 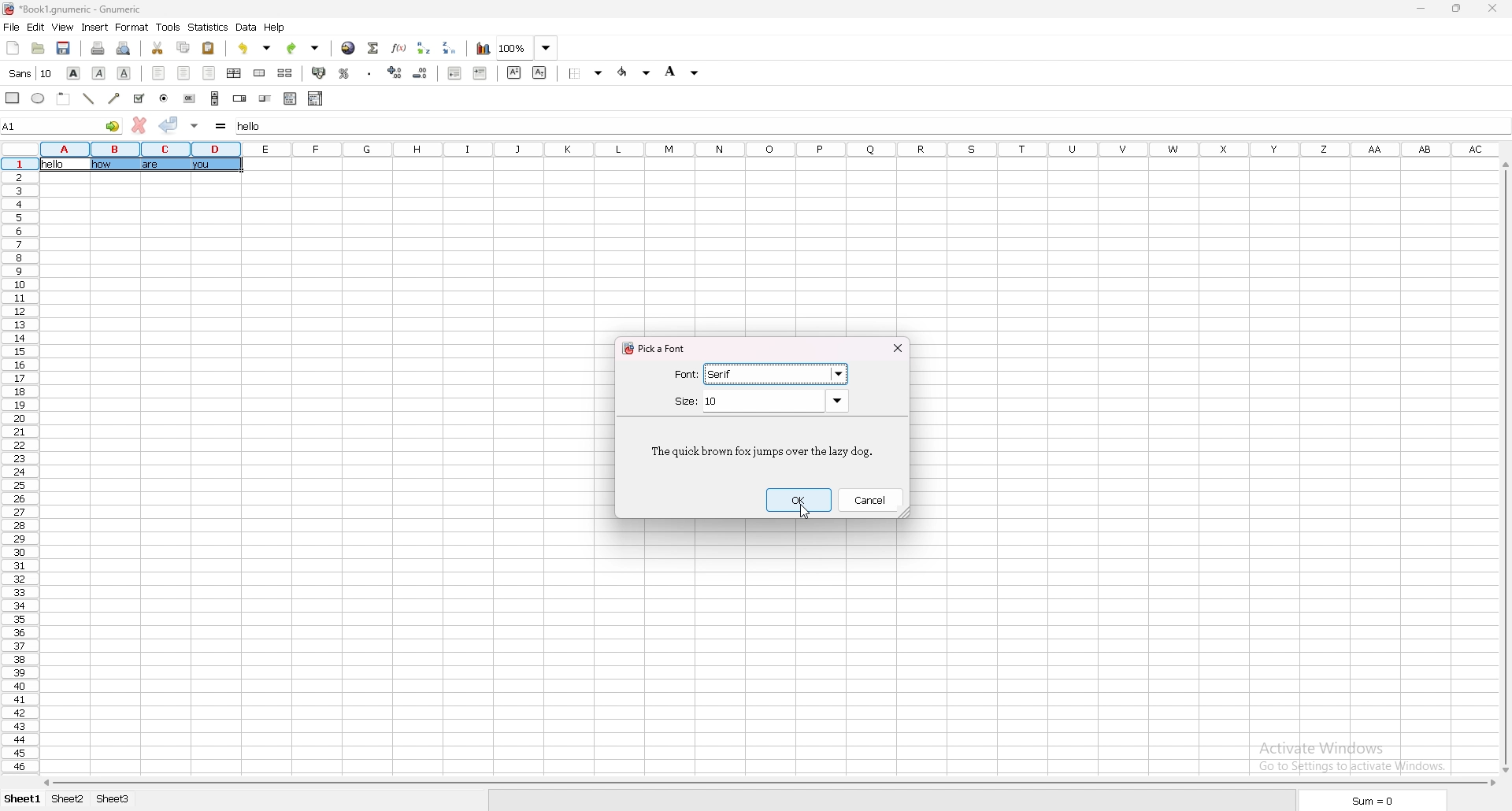 What do you see at coordinates (190, 98) in the screenshot?
I see `button` at bounding box center [190, 98].